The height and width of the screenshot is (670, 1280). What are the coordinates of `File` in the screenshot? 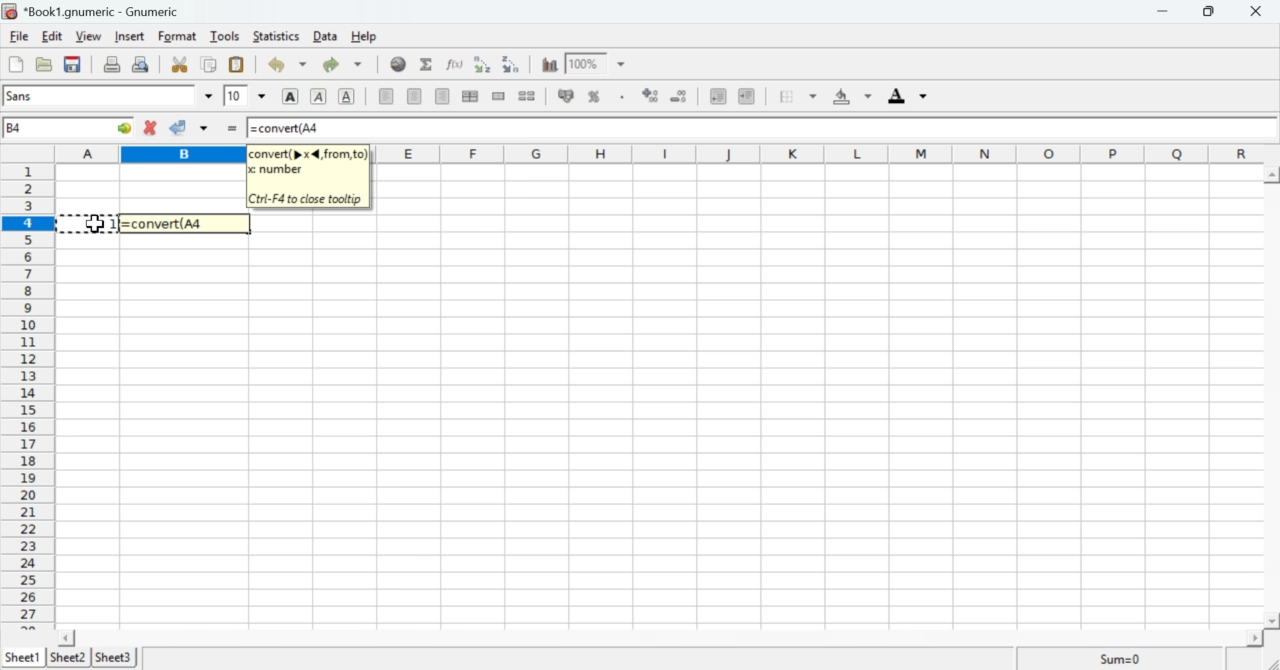 It's located at (19, 36).